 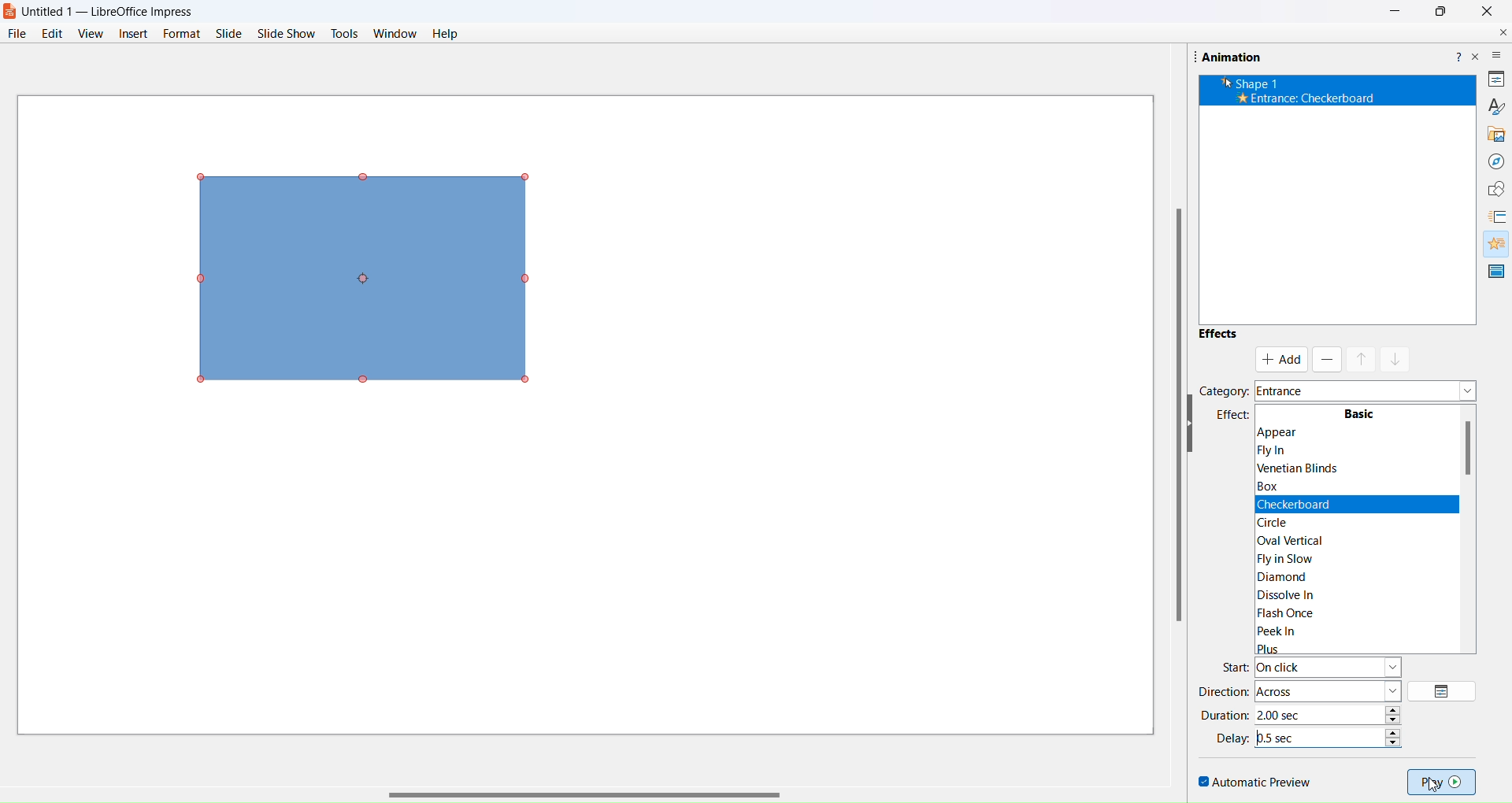 What do you see at coordinates (180, 32) in the screenshot?
I see `format` at bounding box center [180, 32].